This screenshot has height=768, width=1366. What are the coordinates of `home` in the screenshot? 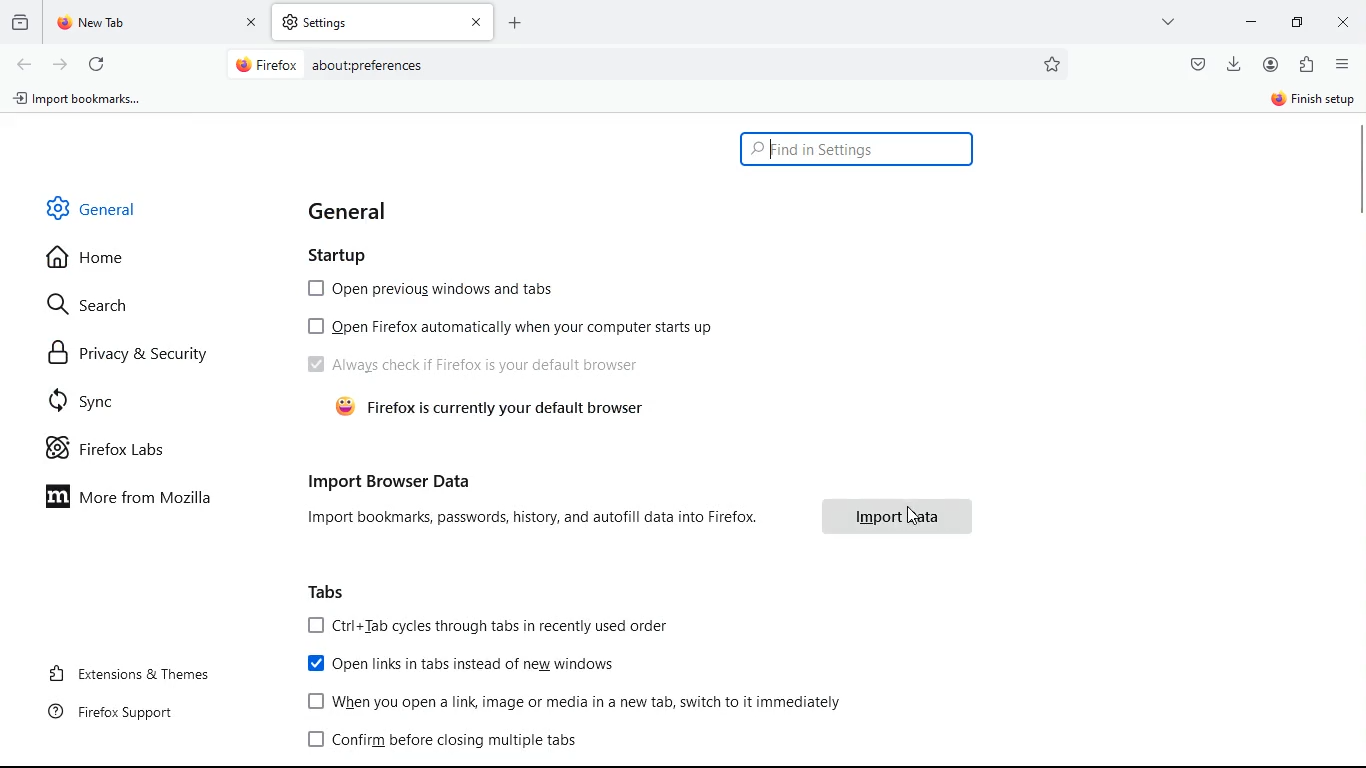 It's located at (108, 263).